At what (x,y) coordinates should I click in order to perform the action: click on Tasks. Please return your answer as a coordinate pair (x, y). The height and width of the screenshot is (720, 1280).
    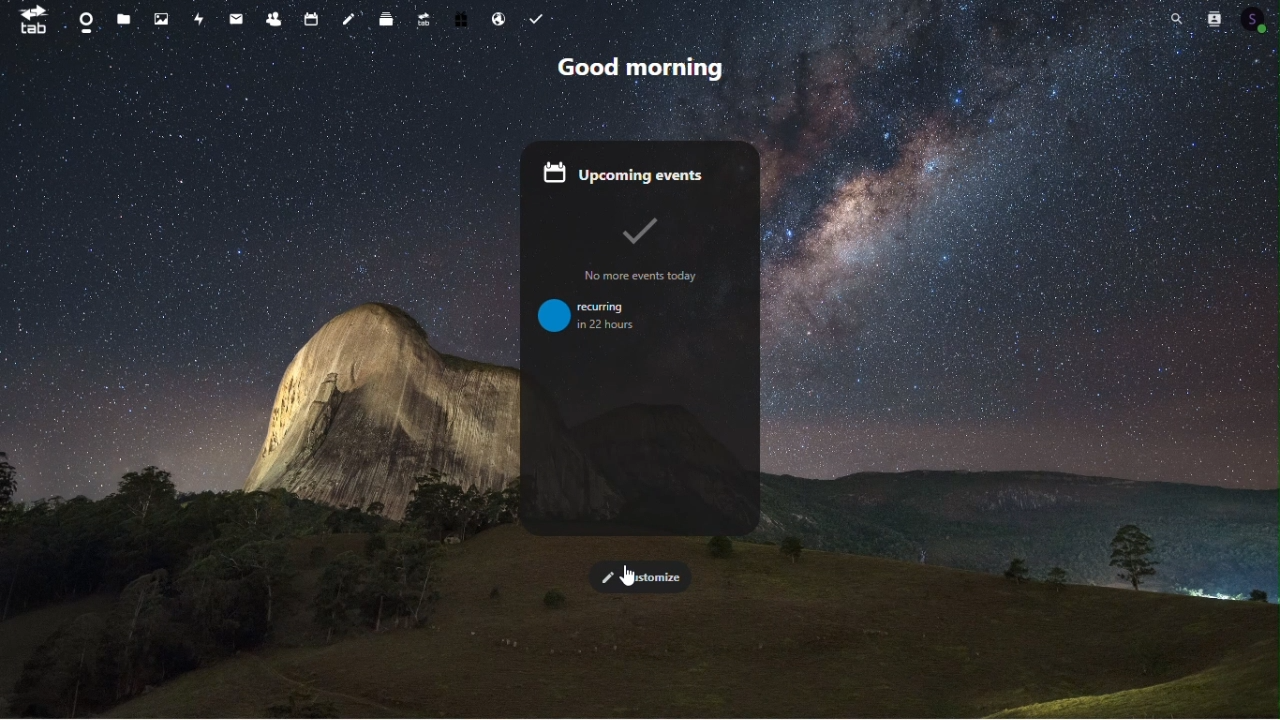
    Looking at the image, I should click on (536, 16).